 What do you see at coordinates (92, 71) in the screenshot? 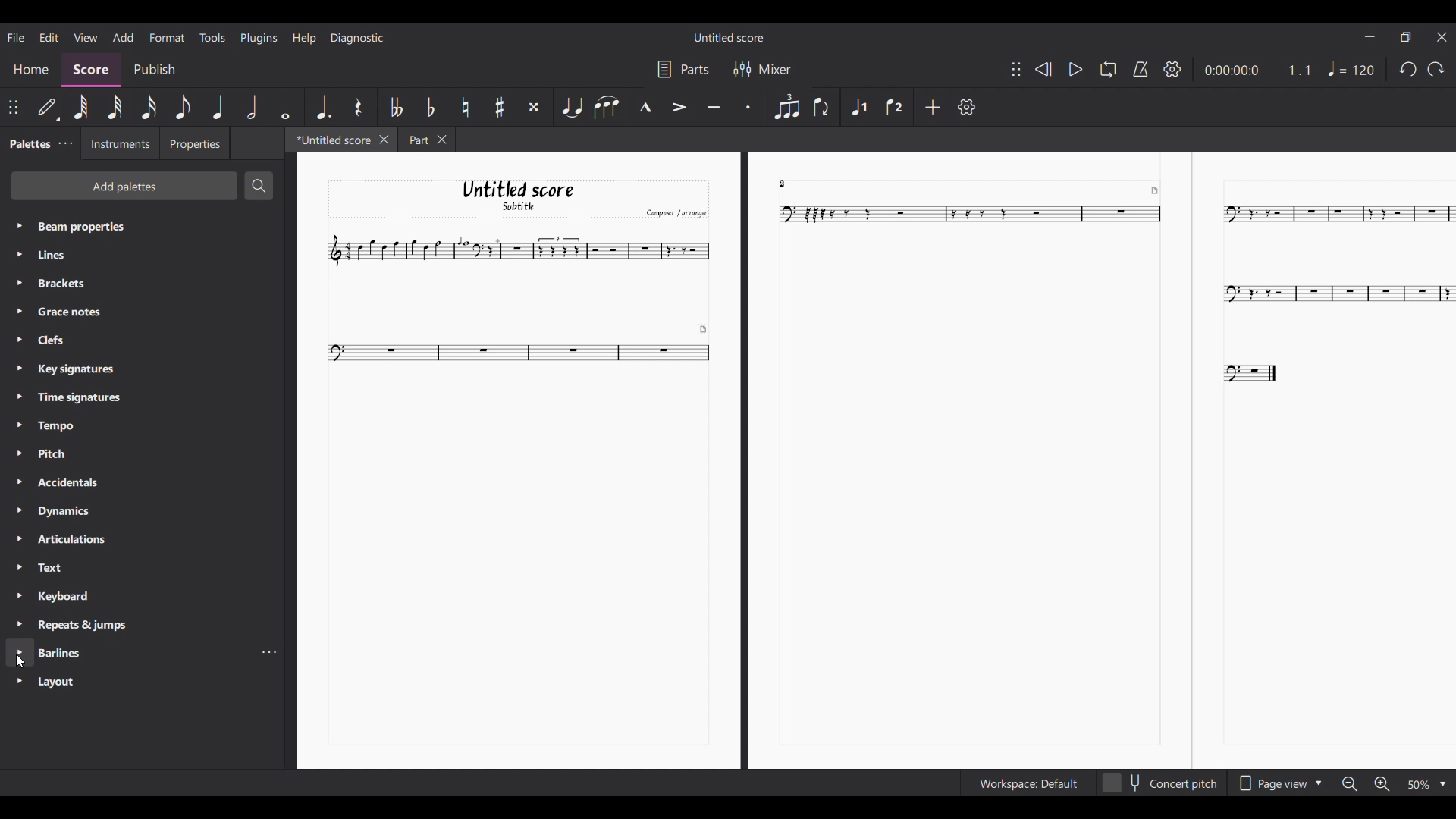
I see `Score section, highlighted` at bounding box center [92, 71].